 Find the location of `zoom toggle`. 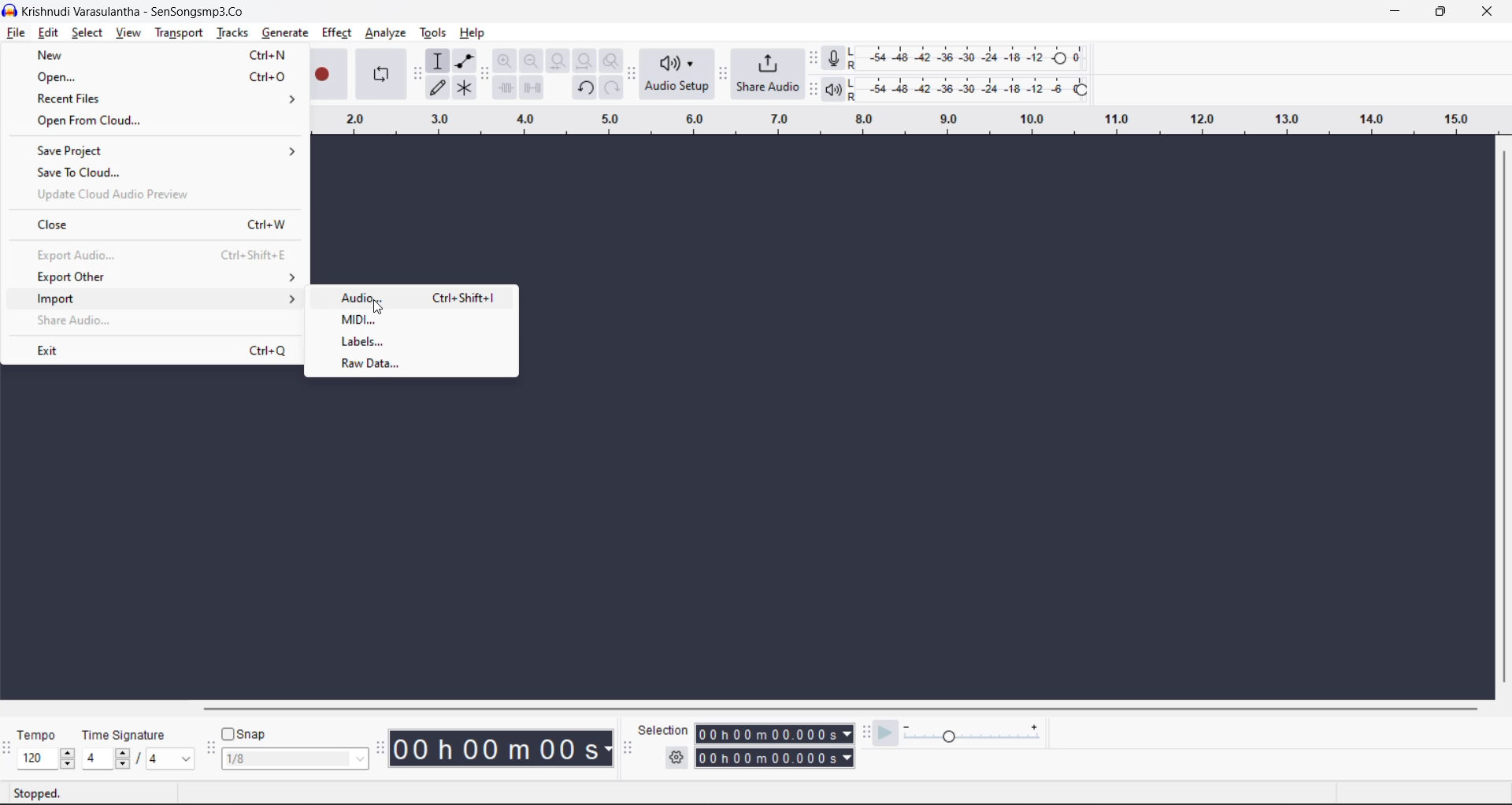

zoom toggle is located at coordinates (614, 61).